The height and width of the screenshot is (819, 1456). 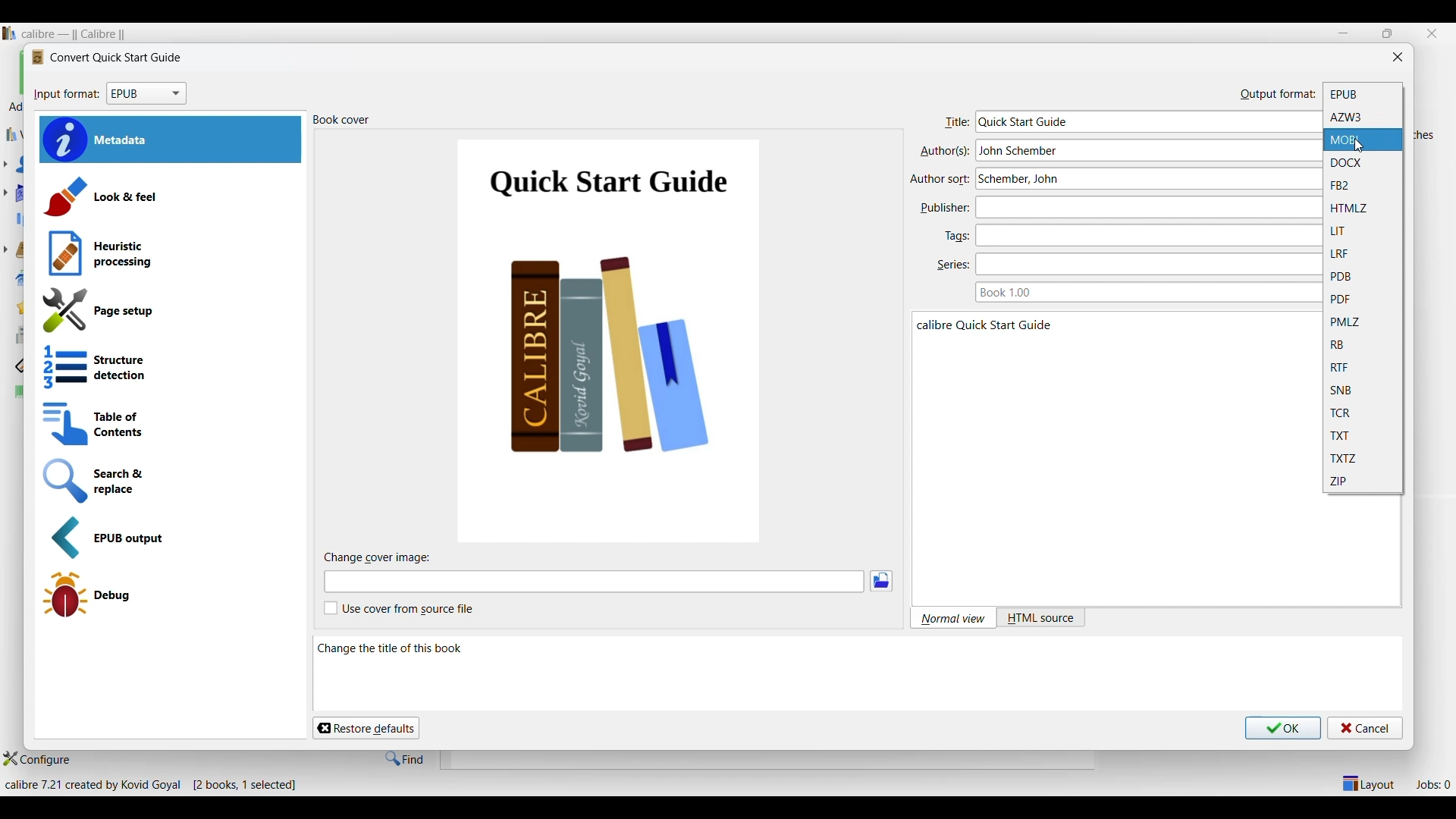 I want to click on Save, so click(x=1284, y=728).